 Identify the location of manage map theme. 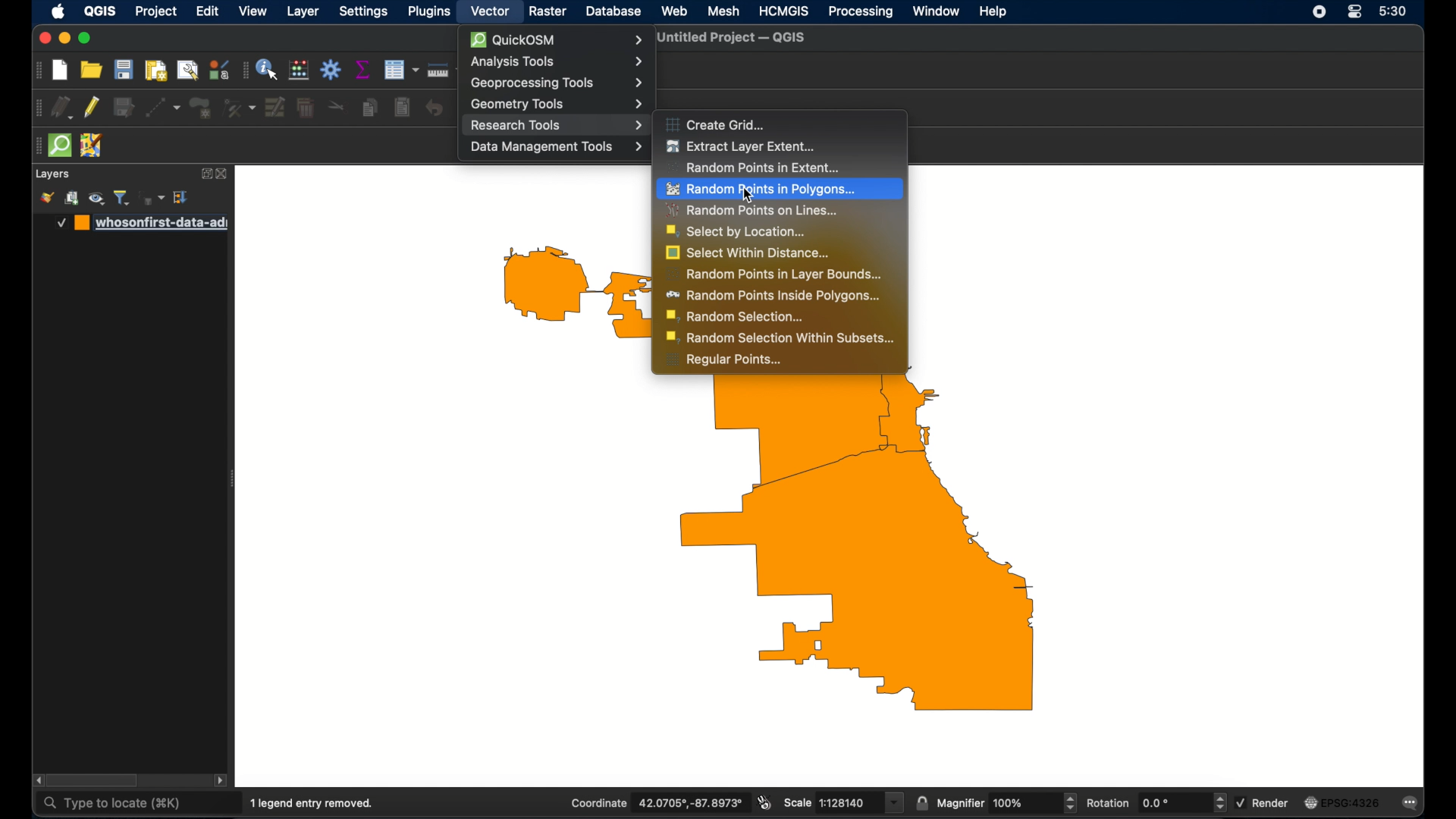
(98, 199).